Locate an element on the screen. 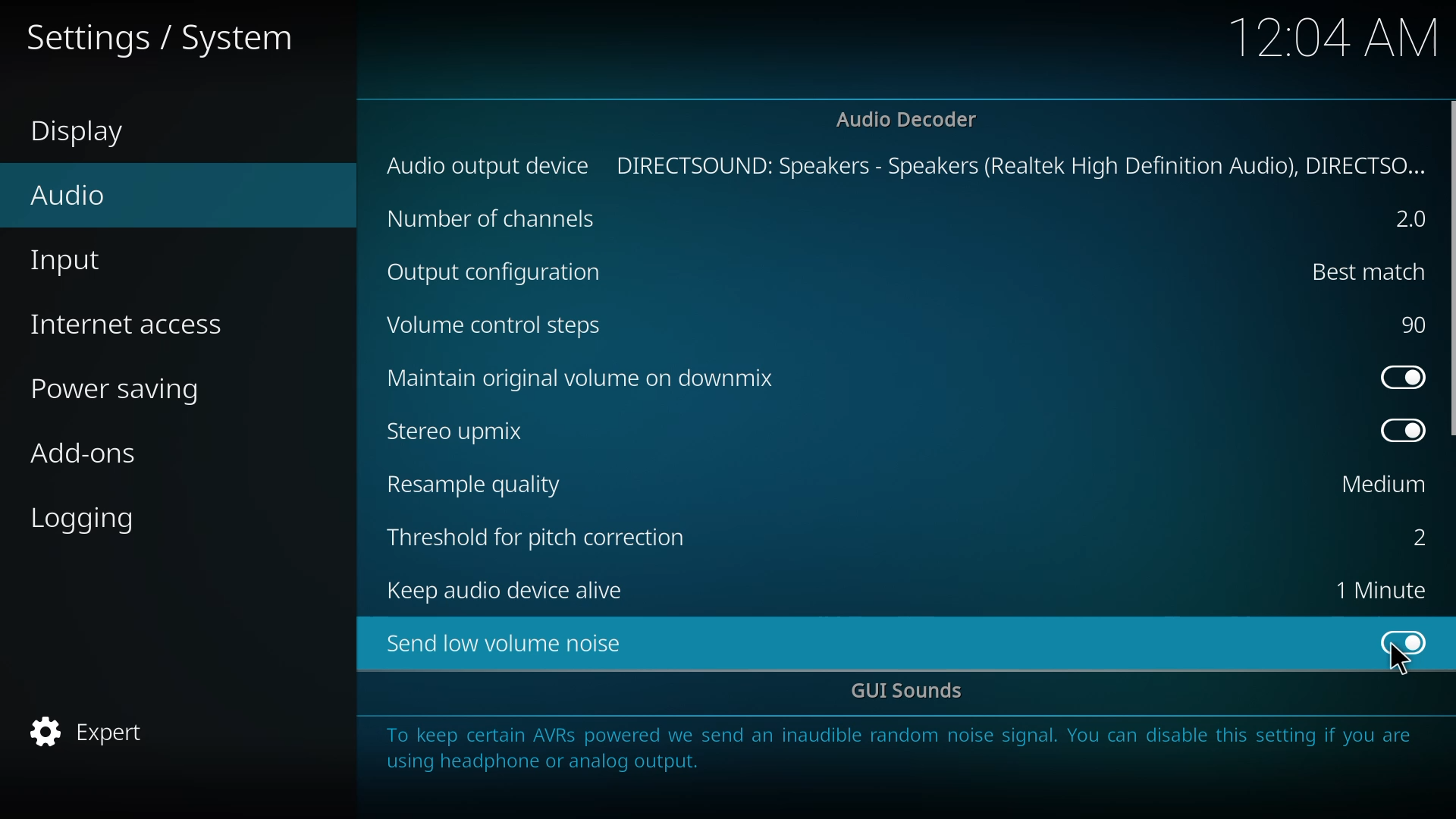 This screenshot has width=1456, height=819. expert is located at coordinates (96, 729).